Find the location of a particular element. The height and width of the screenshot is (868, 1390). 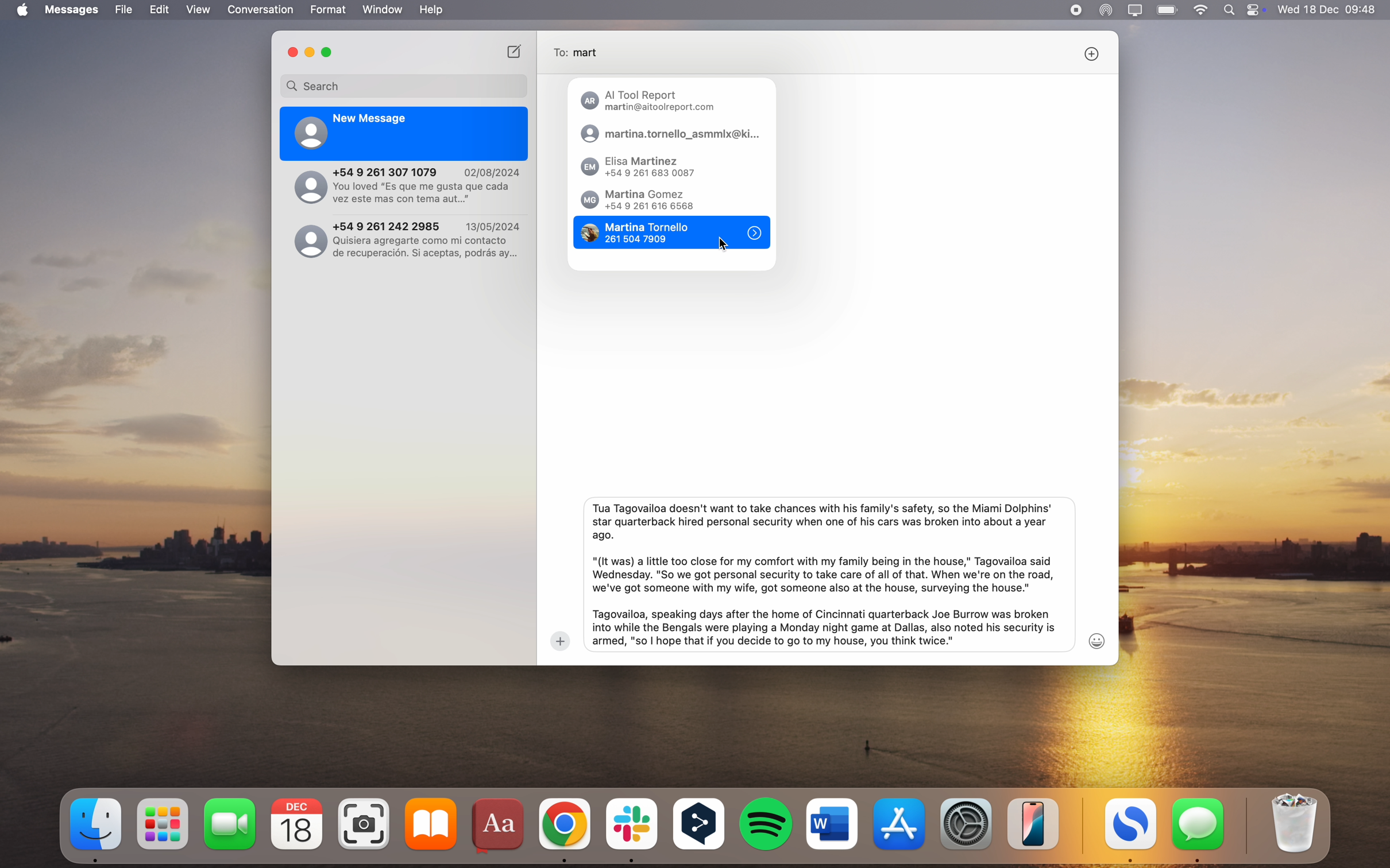

Airdrop is located at coordinates (1106, 11).